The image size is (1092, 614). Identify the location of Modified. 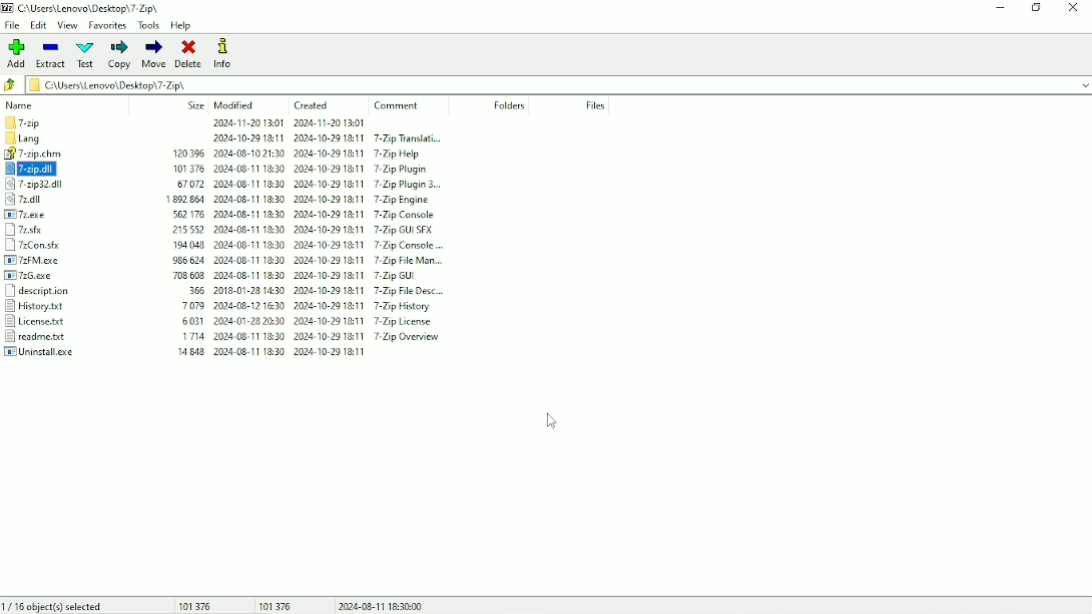
(235, 105).